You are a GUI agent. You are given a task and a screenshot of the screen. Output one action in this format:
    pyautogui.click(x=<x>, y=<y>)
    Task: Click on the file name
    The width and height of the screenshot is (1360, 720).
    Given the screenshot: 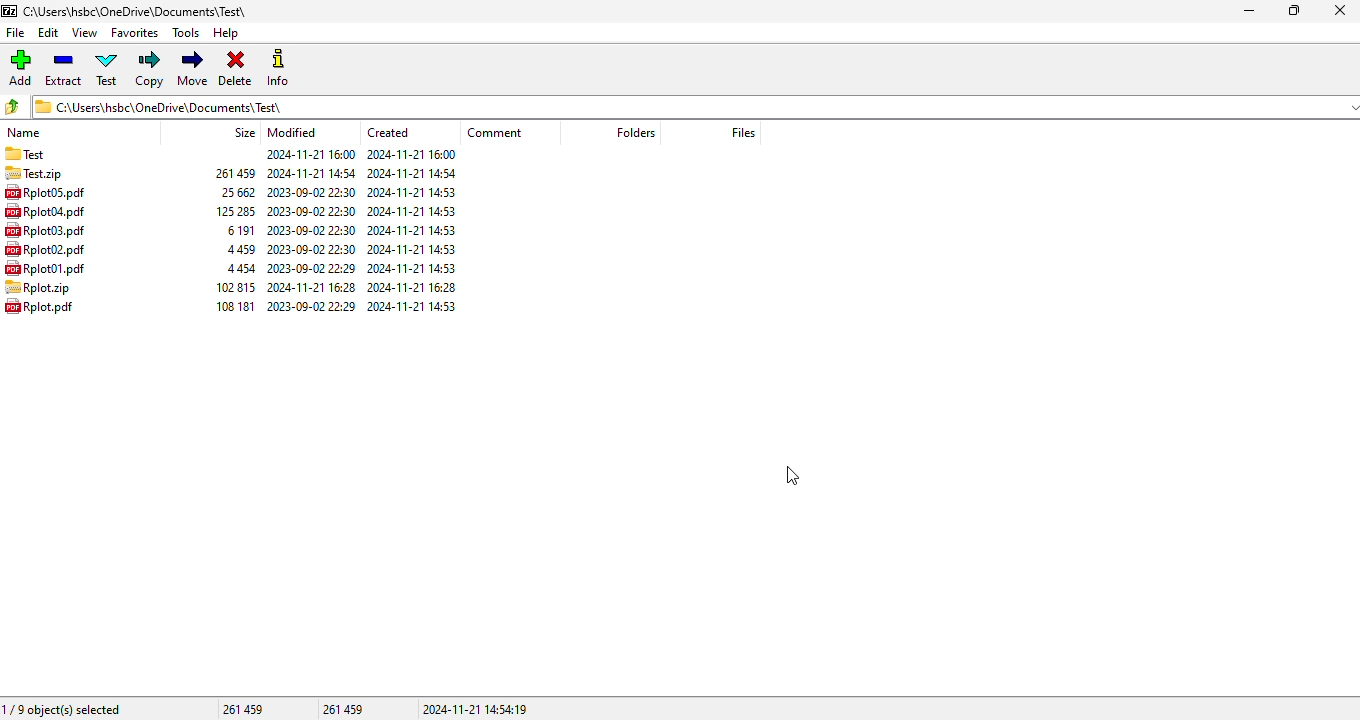 What is the action you would take?
    pyautogui.click(x=44, y=248)
    